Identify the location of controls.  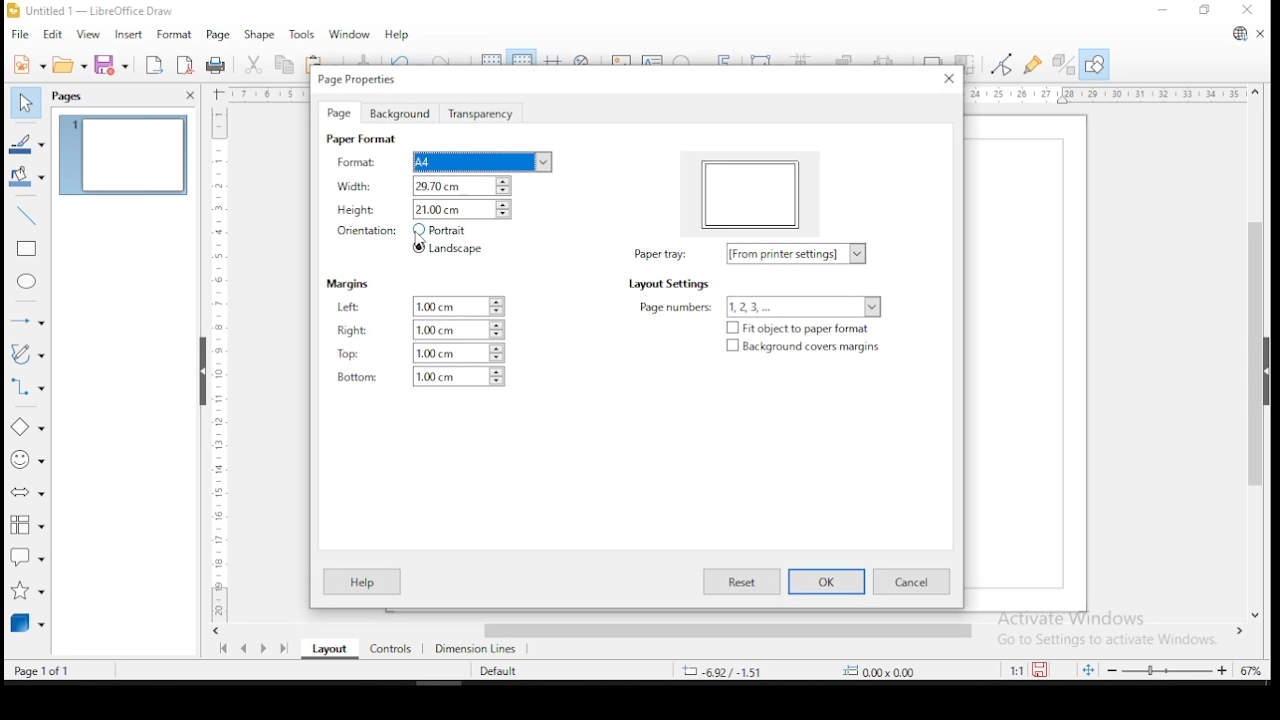
(389, 650).